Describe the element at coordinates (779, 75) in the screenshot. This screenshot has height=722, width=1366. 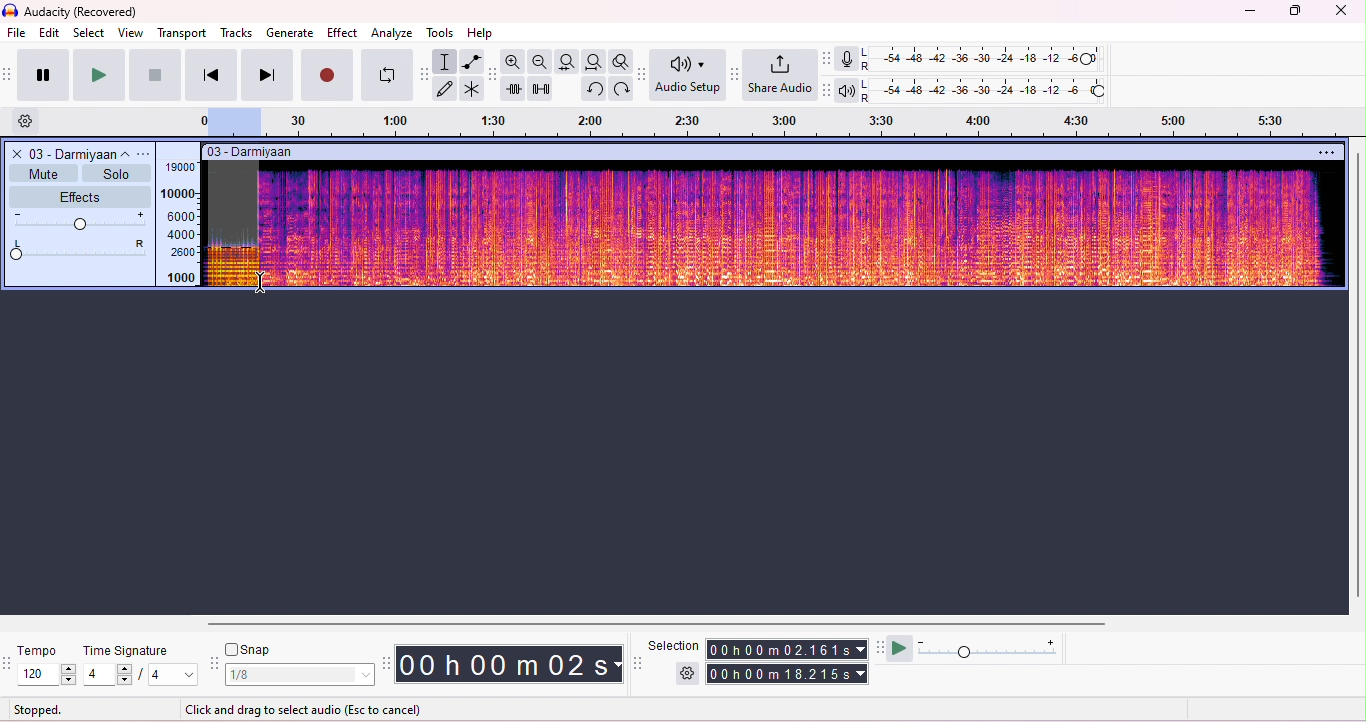
I see `share audio` at that location.